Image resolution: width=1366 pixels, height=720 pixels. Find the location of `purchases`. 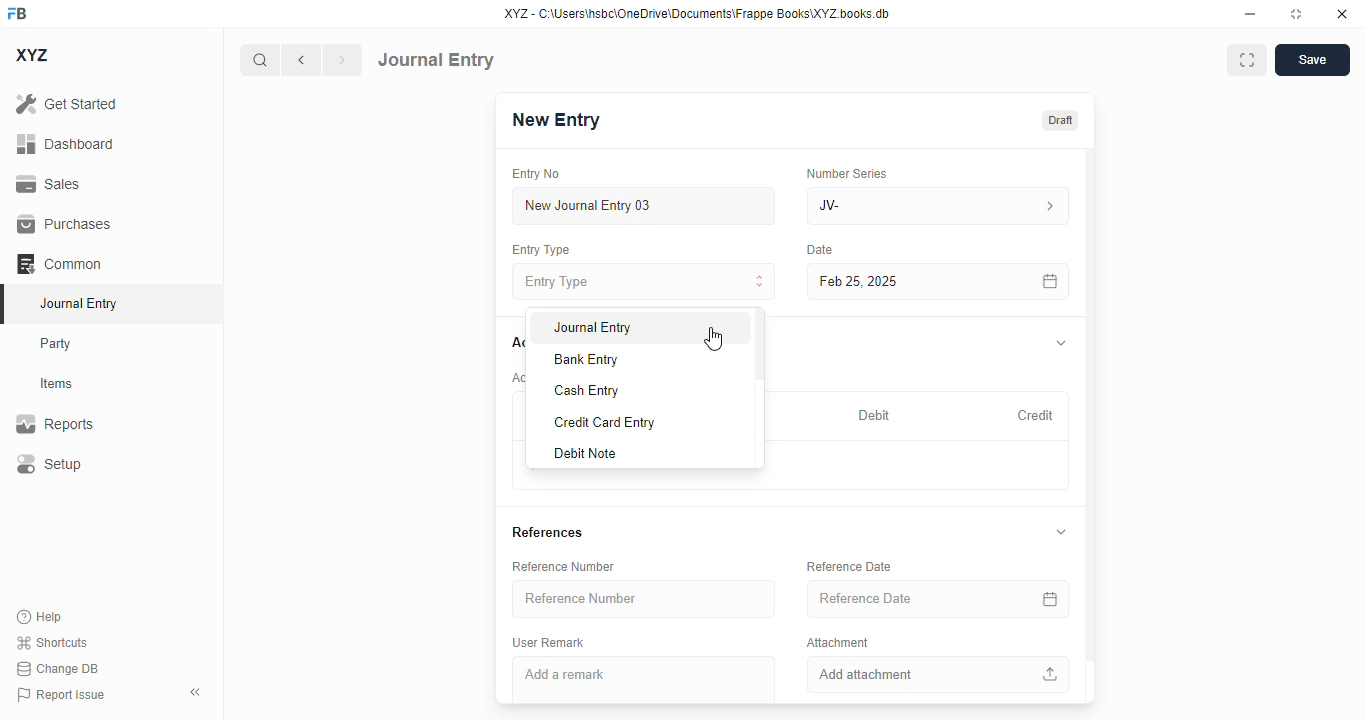

purchases is located at coordinates (65, 224).